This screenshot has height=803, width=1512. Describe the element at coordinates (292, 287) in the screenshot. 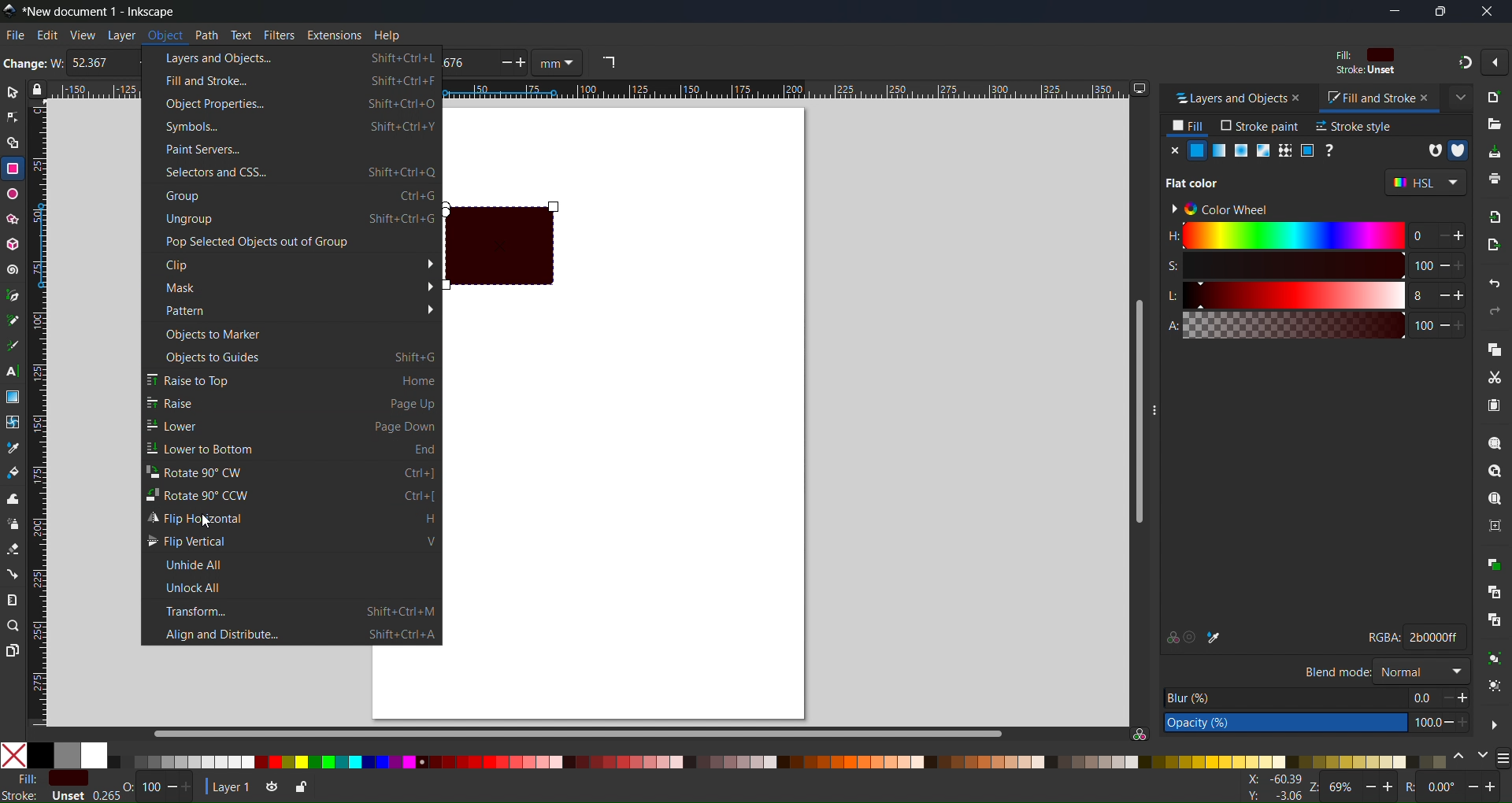

I see `Mask` at that location.